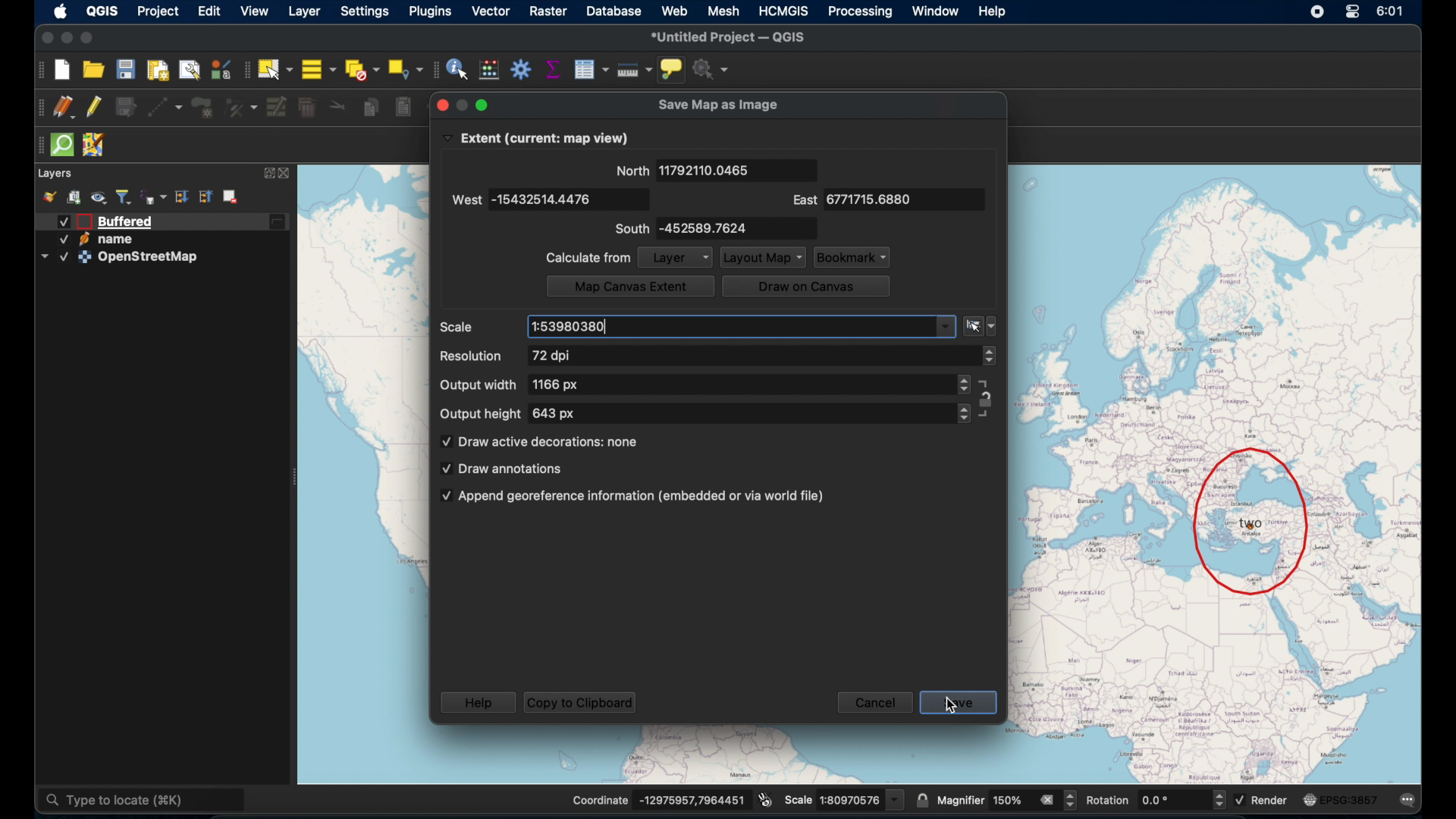  What do you see at coordinates (989, 397) in the screenshot?
I see `aspect ratio lock` at bounding box center [989, 397].